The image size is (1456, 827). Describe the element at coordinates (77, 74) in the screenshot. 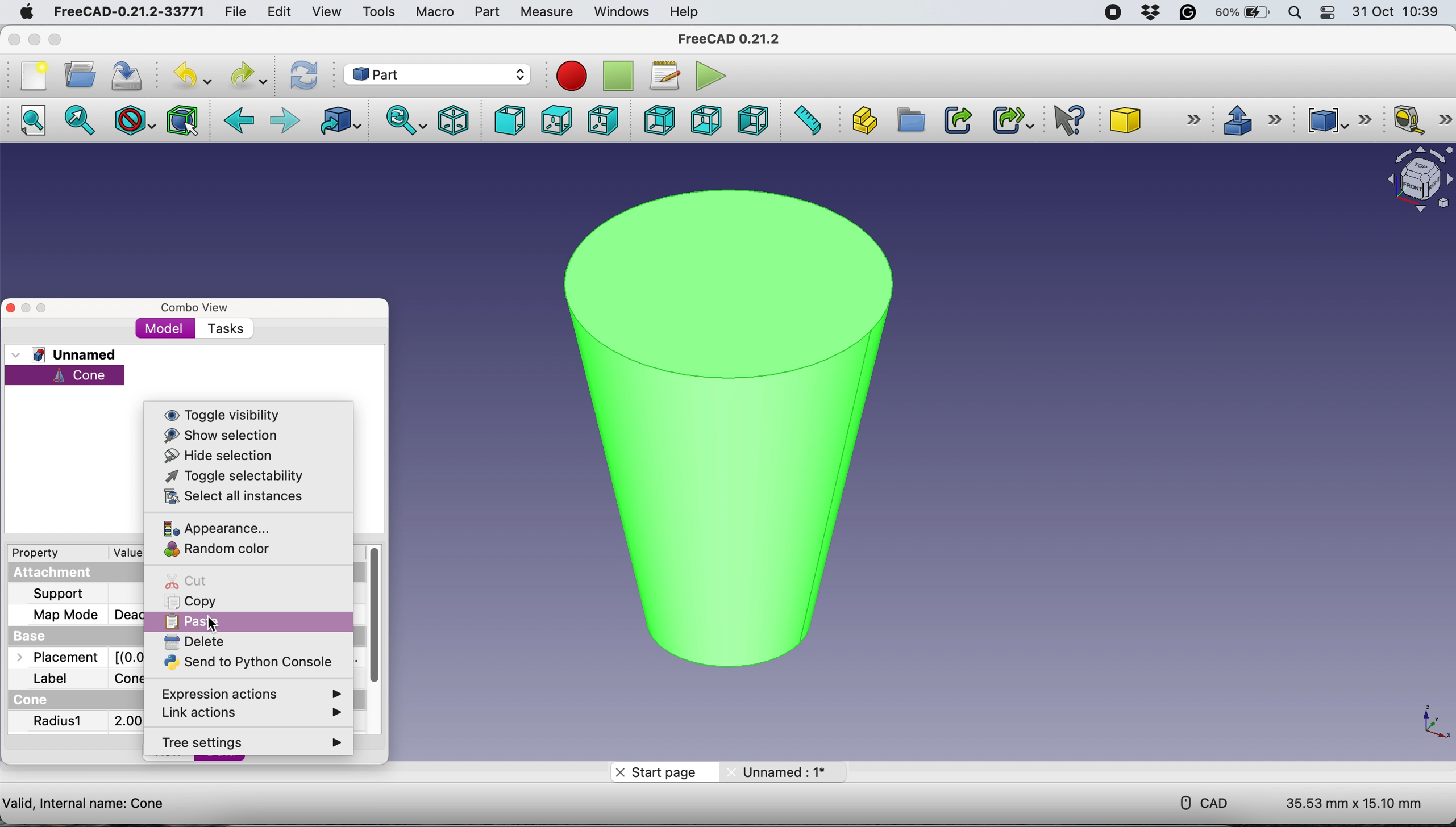

I see `open` at that location.